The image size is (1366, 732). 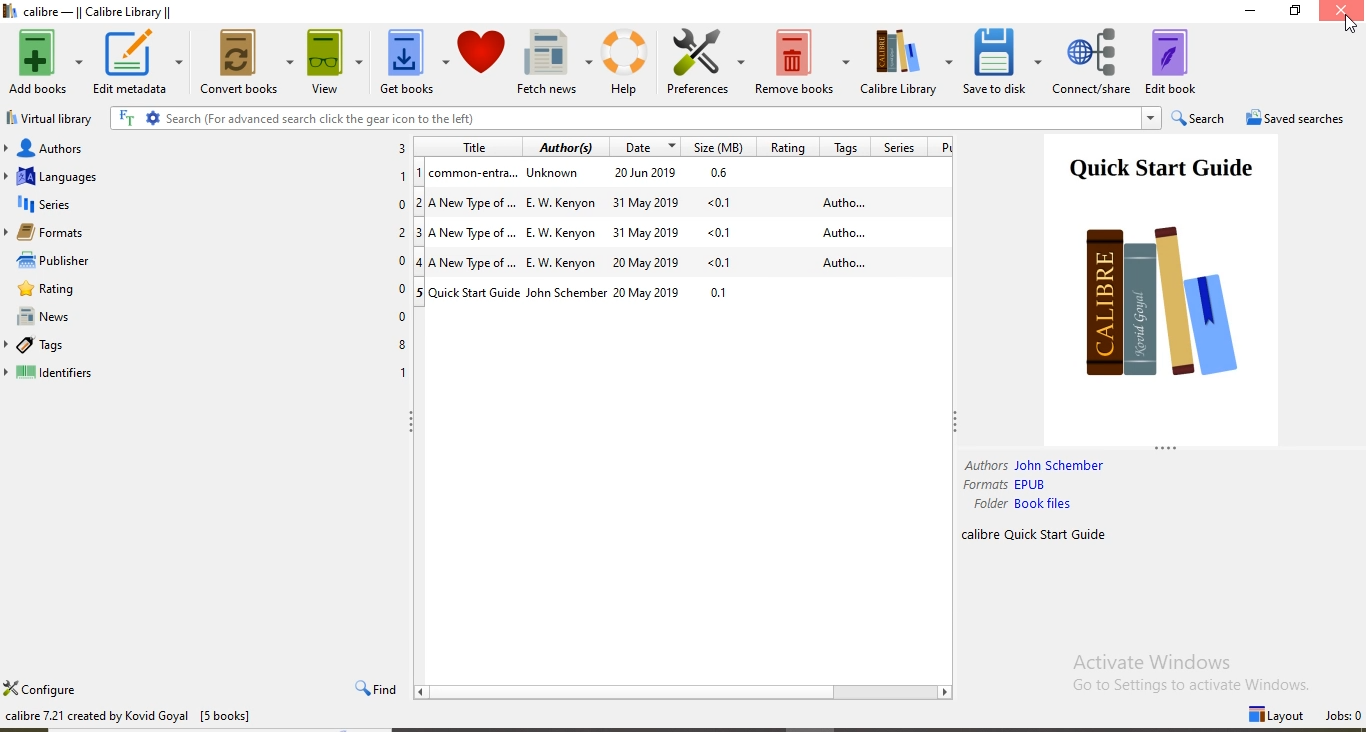 What do you see at coordinates (418, 200) in the screenshot?
I see `2` at bounding box center [418, 200].